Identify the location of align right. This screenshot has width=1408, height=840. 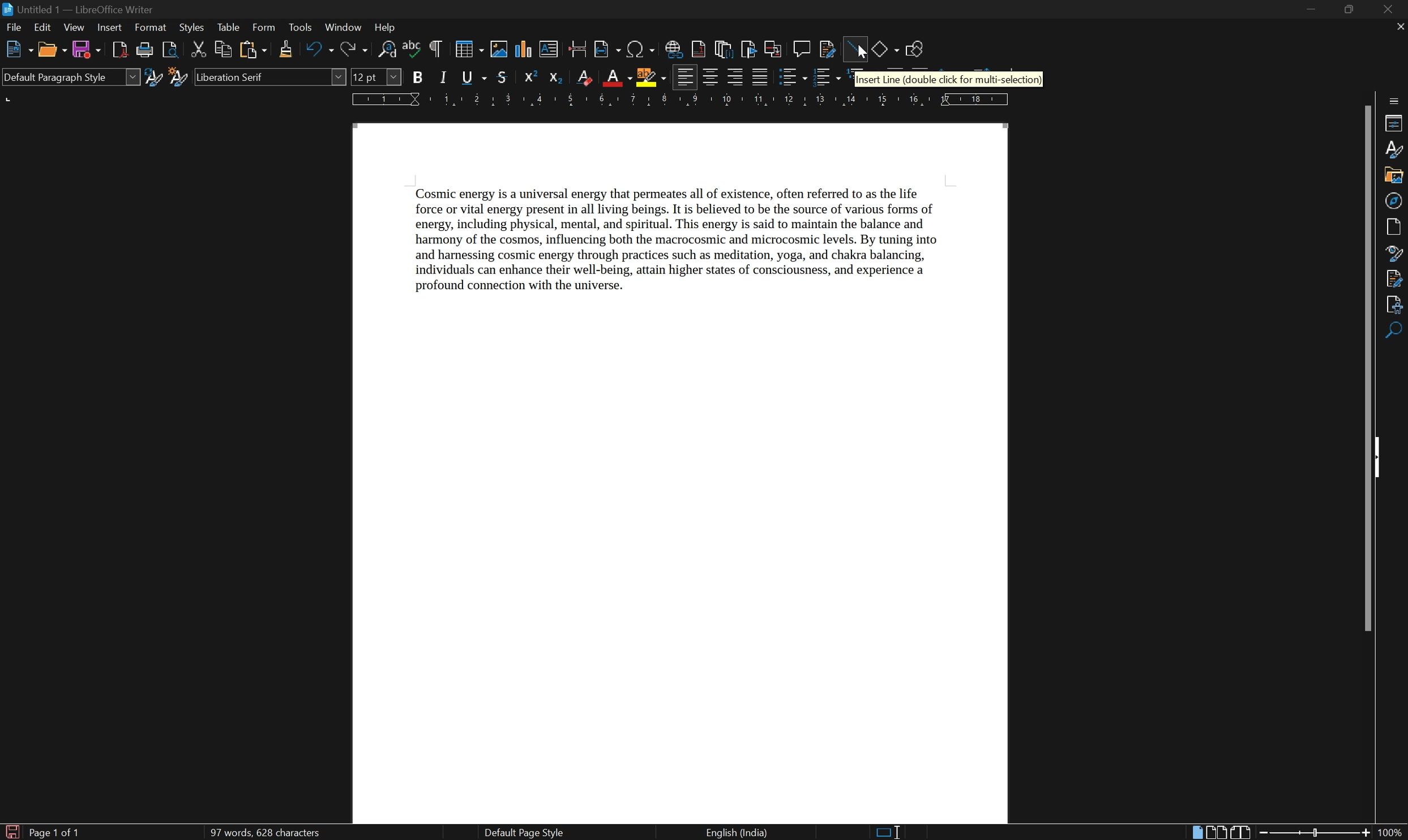
(737, 78).